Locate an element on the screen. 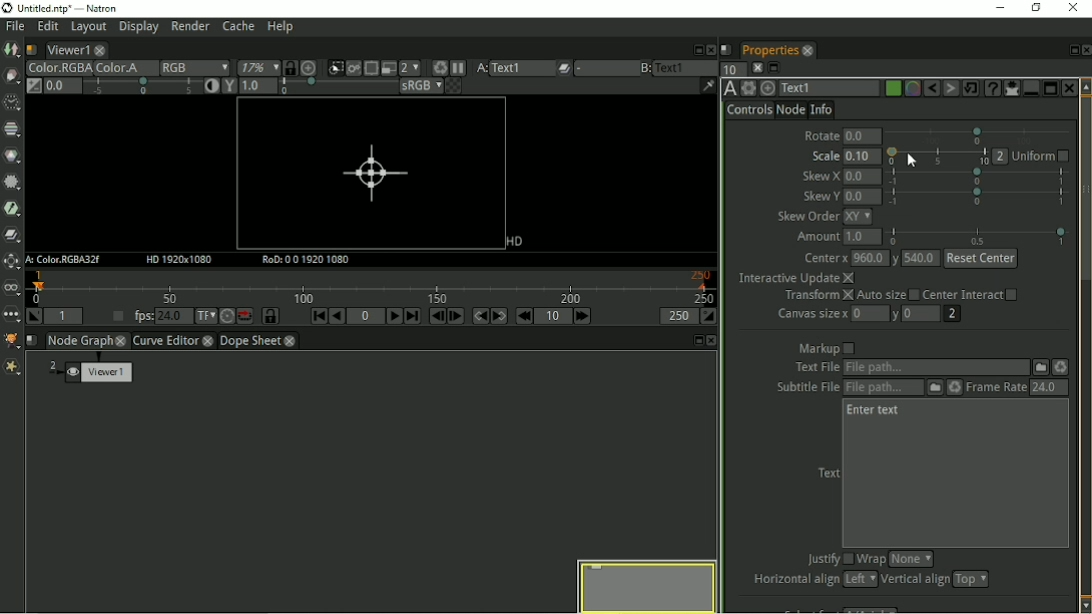  Subtitle file is located at coordinates (864, 387).